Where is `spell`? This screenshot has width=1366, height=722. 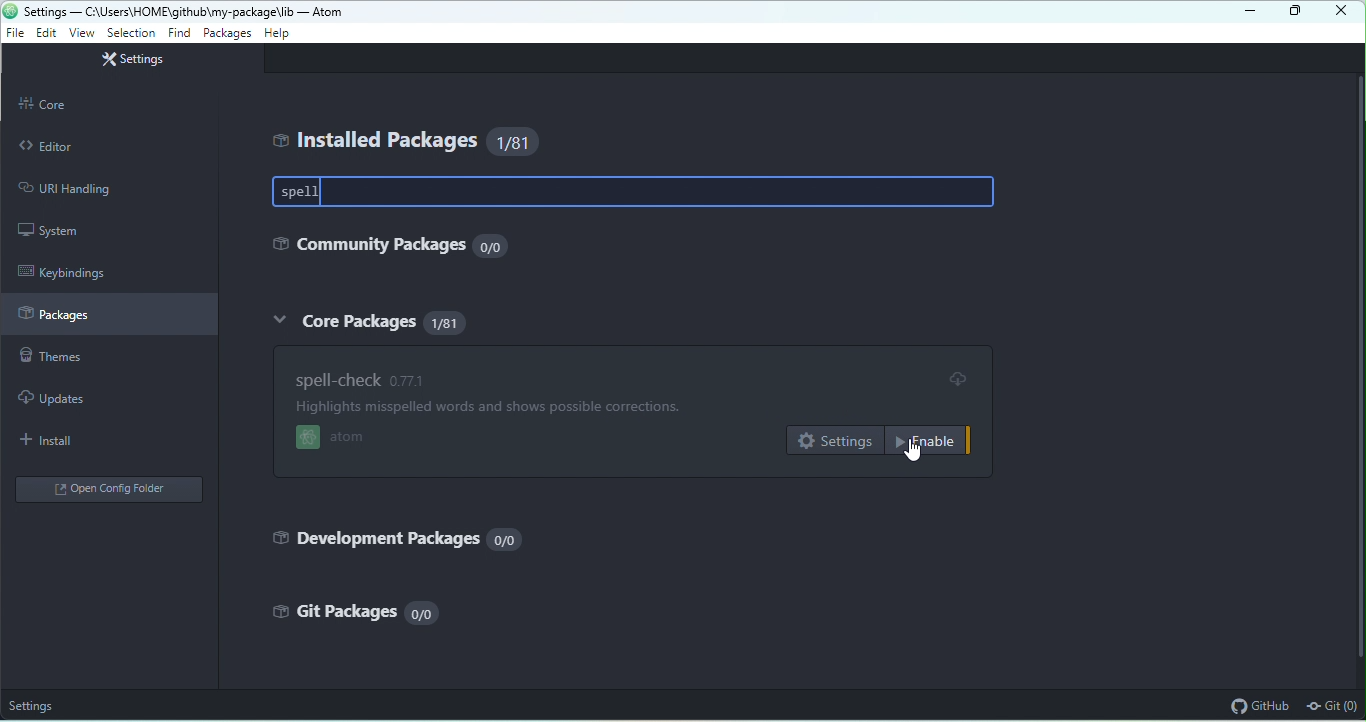 spell is located at coordinates (634, 190).